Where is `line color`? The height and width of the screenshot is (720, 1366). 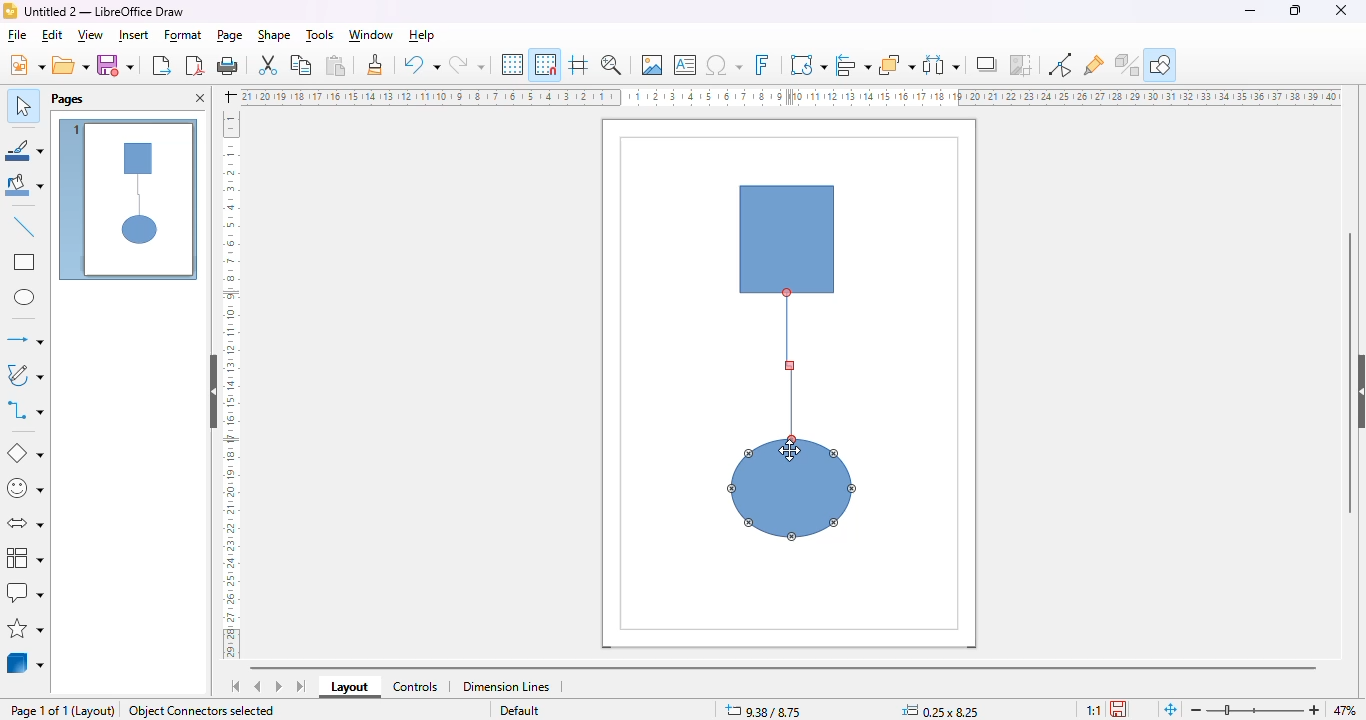
line color is located at coordinates (24, 150).